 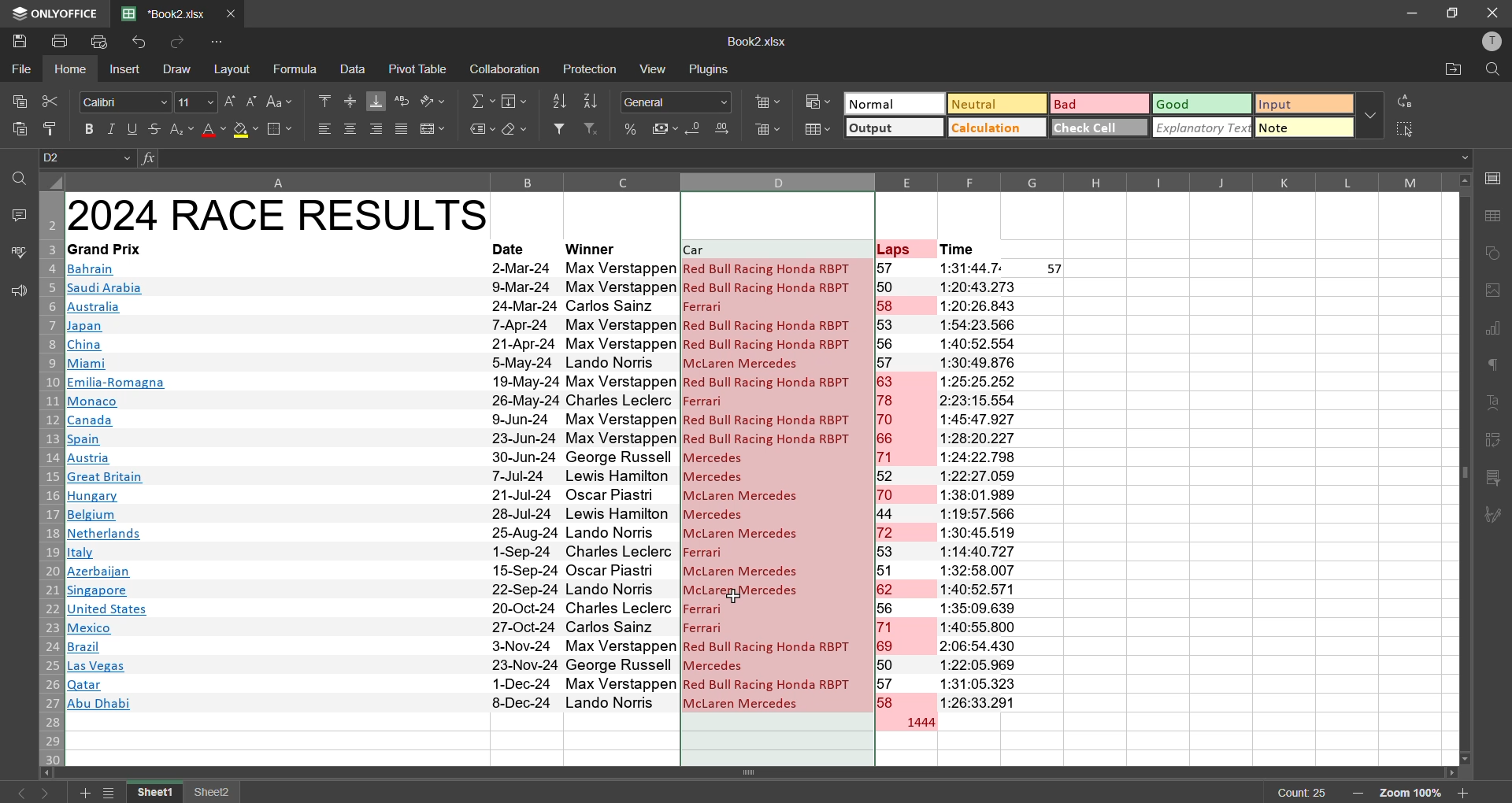 What do you see at coordinates (432, 101) in the screenshot?
I see `orientation` at bounding box center [432, 101].